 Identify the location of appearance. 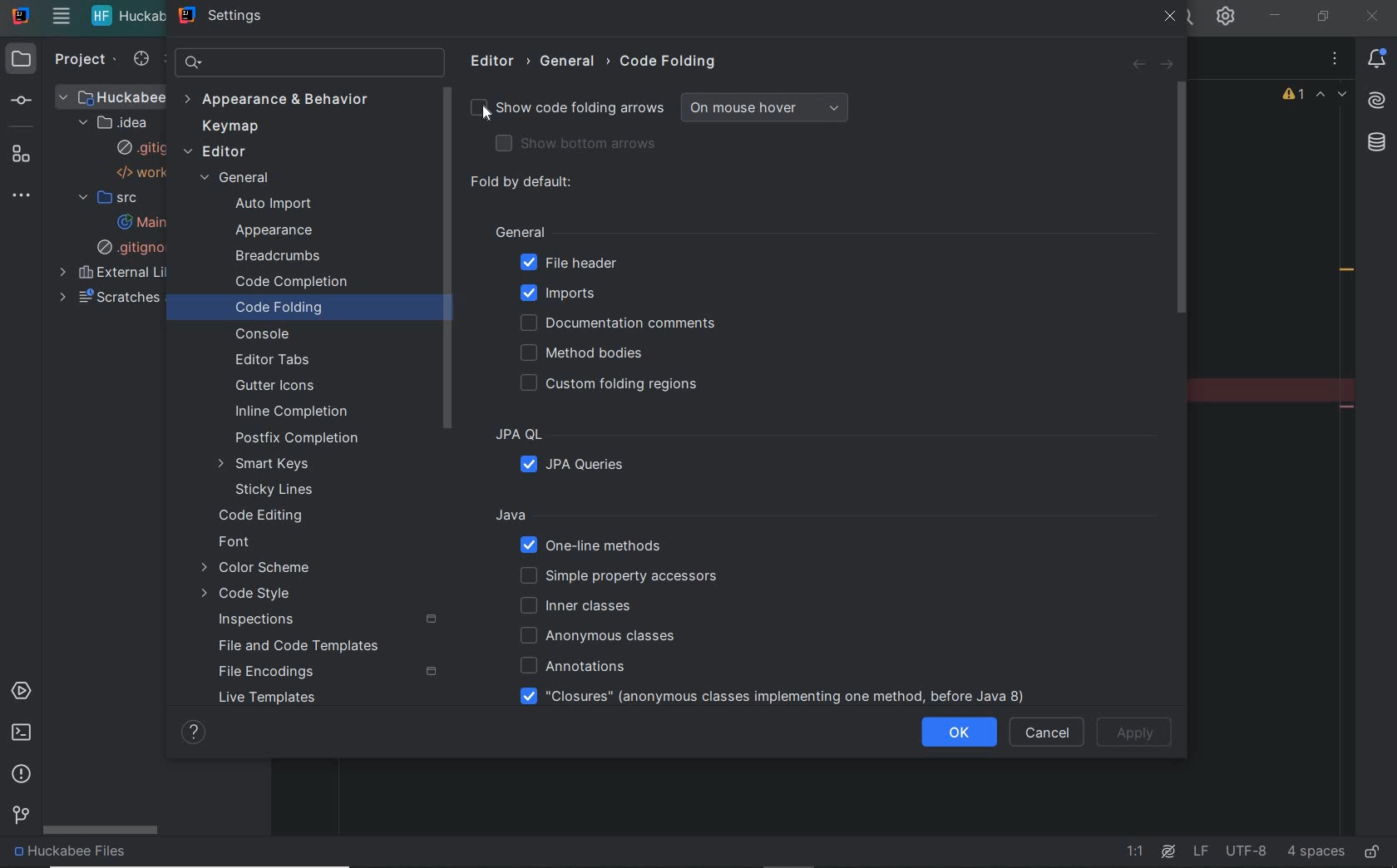
(279, 230).